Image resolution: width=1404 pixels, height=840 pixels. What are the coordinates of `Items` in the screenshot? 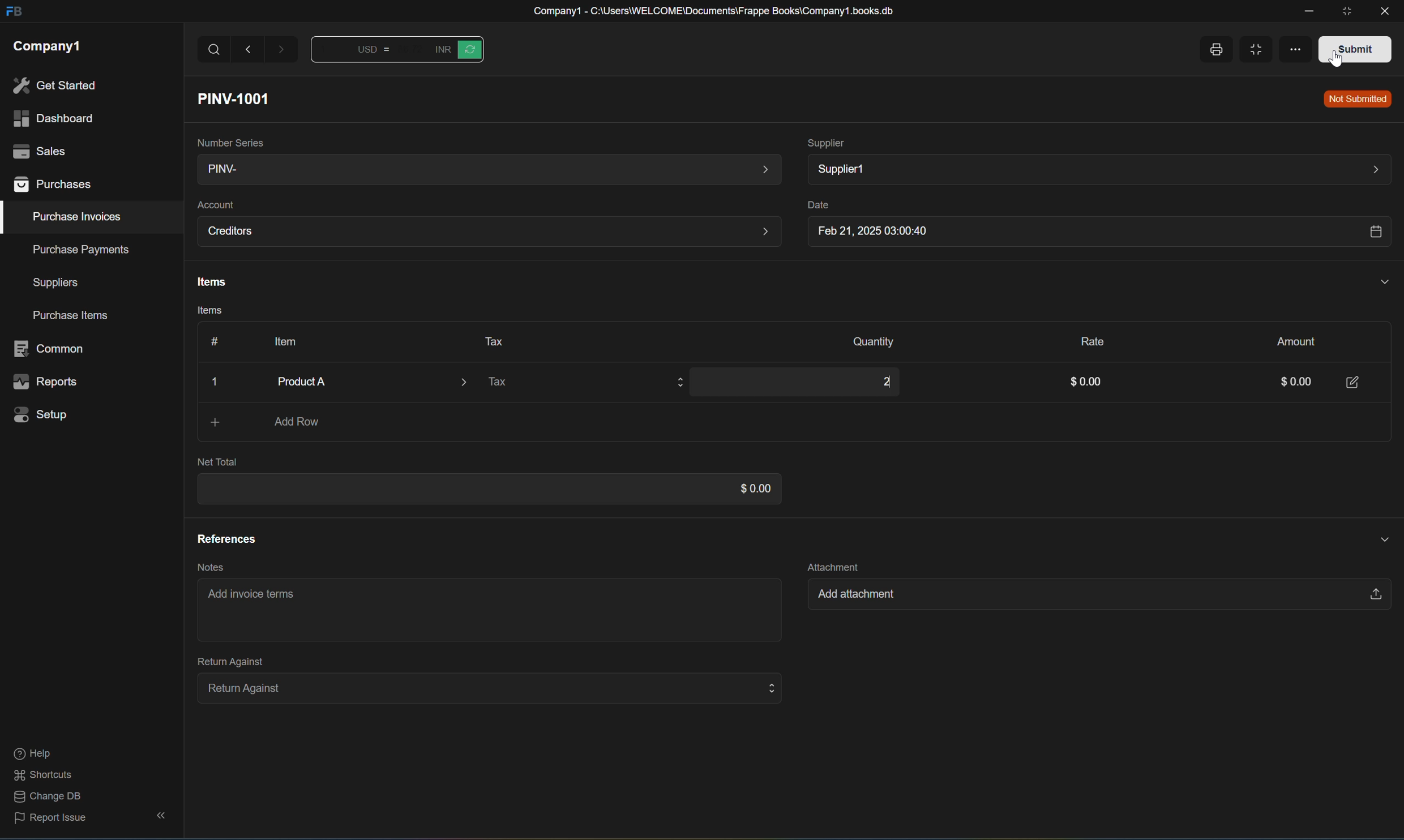 It's located at (205, 312).